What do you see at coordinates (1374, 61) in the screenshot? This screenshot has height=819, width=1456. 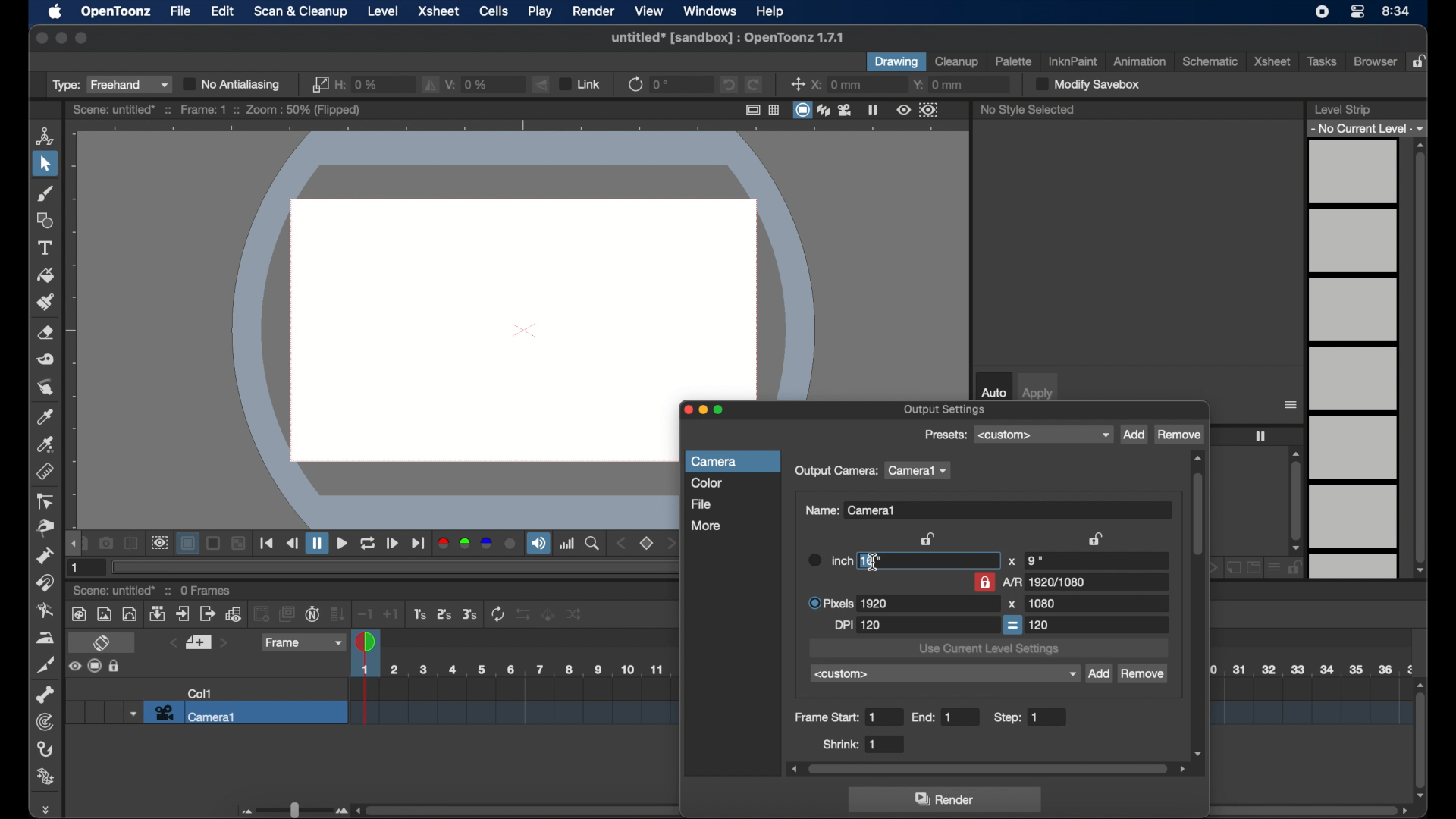 I see `browser` at bounding box center [1374, 61].